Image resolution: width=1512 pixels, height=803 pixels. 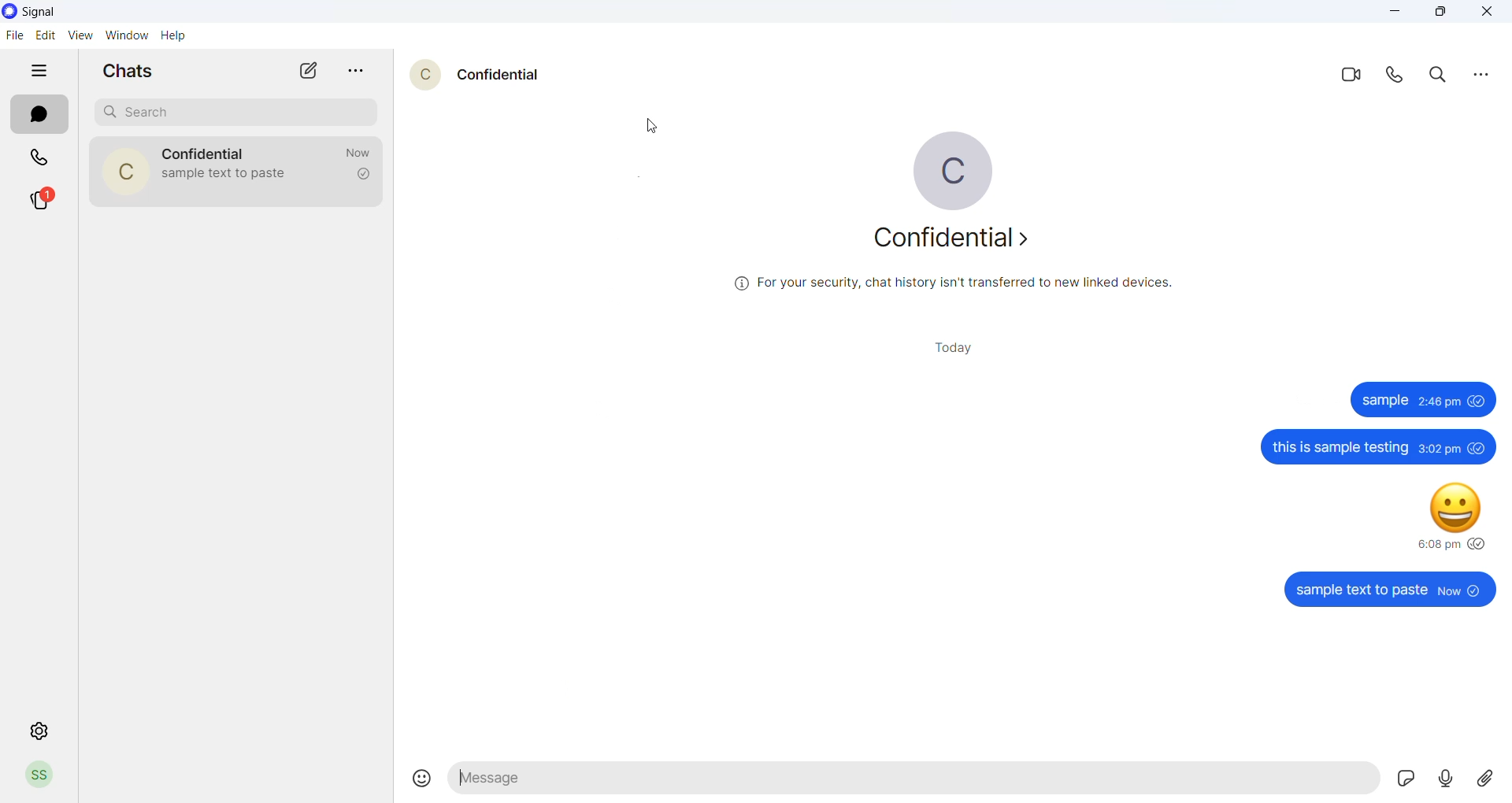 I want to click on chats, so click(x=133, y=70).